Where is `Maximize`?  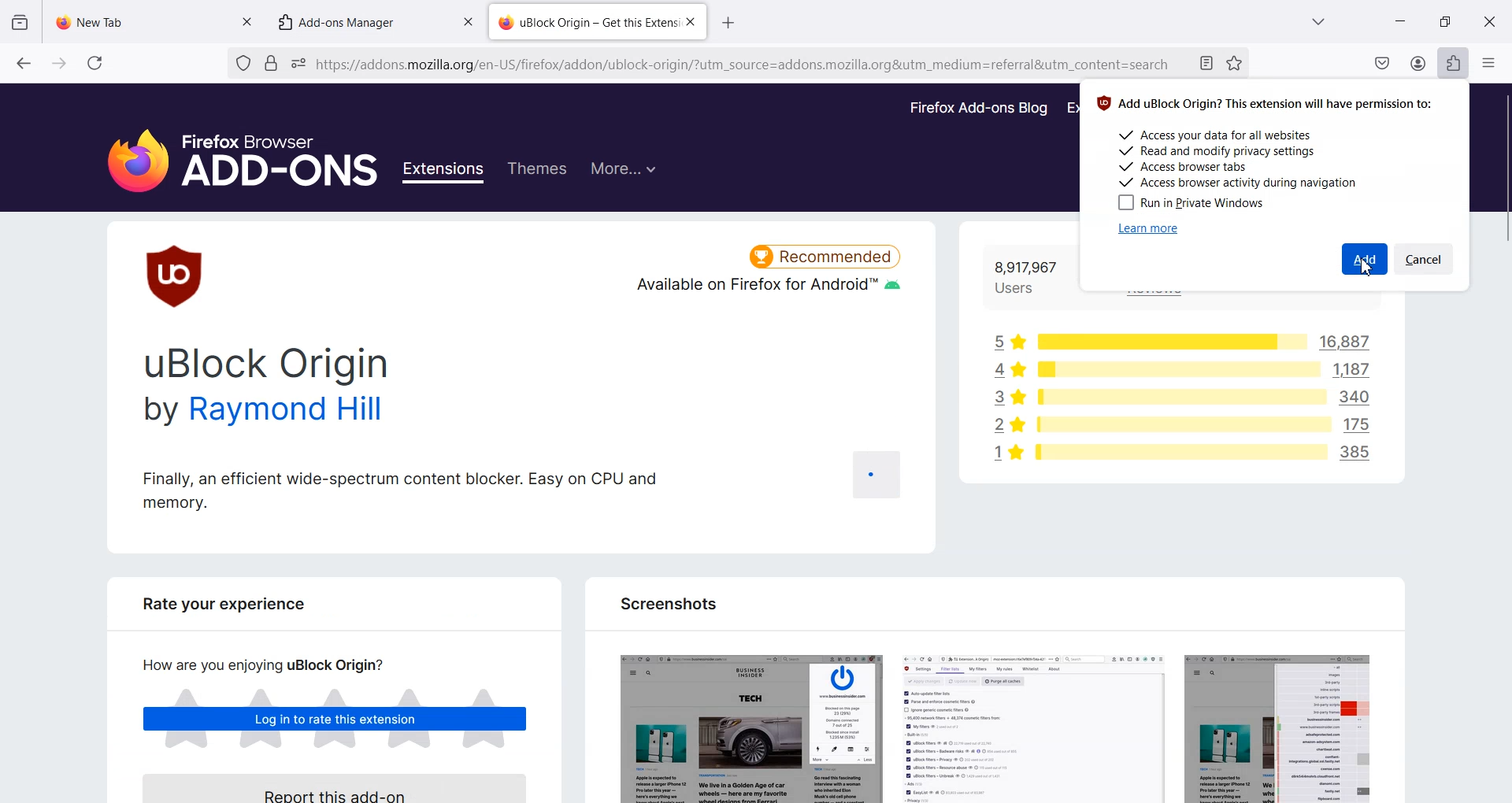
Maximize is located at coordinates (1445, 20).